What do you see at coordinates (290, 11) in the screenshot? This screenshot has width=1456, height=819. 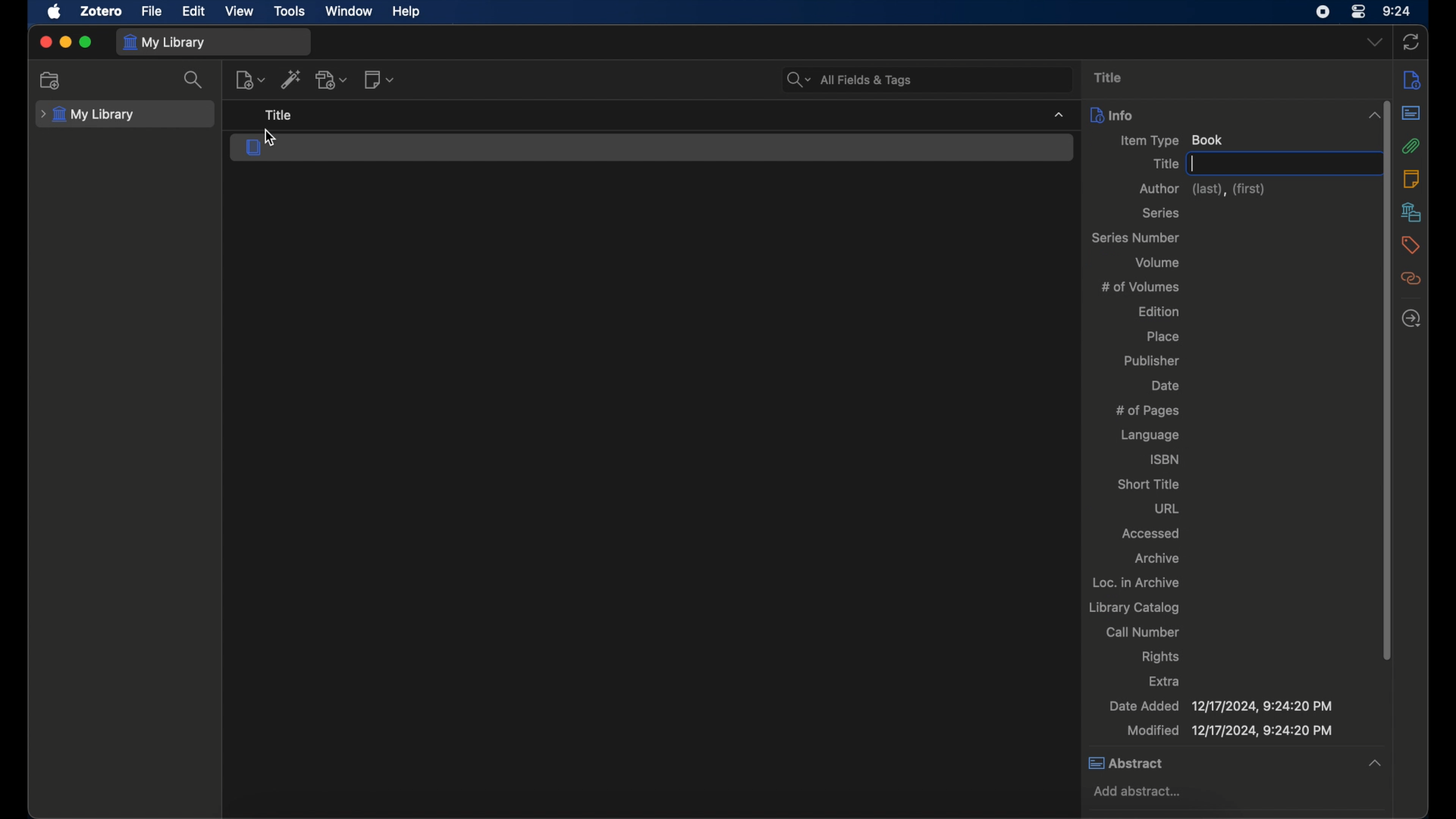 I see `tools` at bounding box center [290, 11].